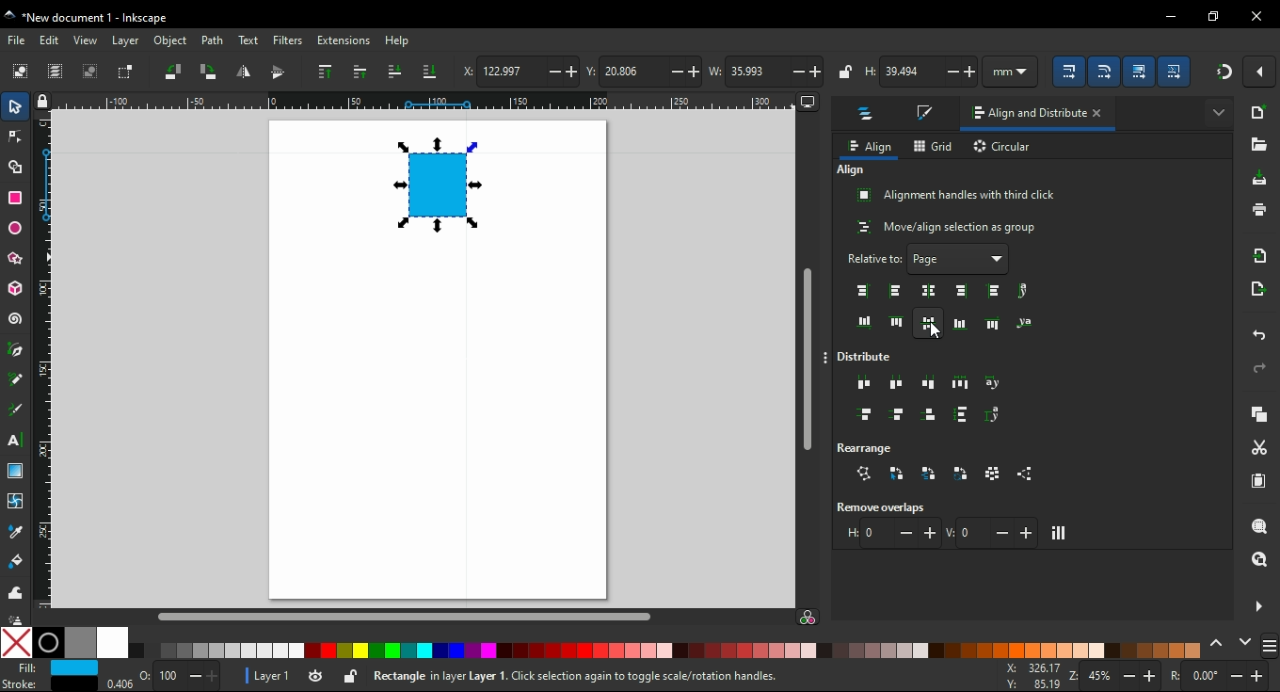  Describe the element at coordinates (828, 359) in the screenshot. I see `options` at that location.